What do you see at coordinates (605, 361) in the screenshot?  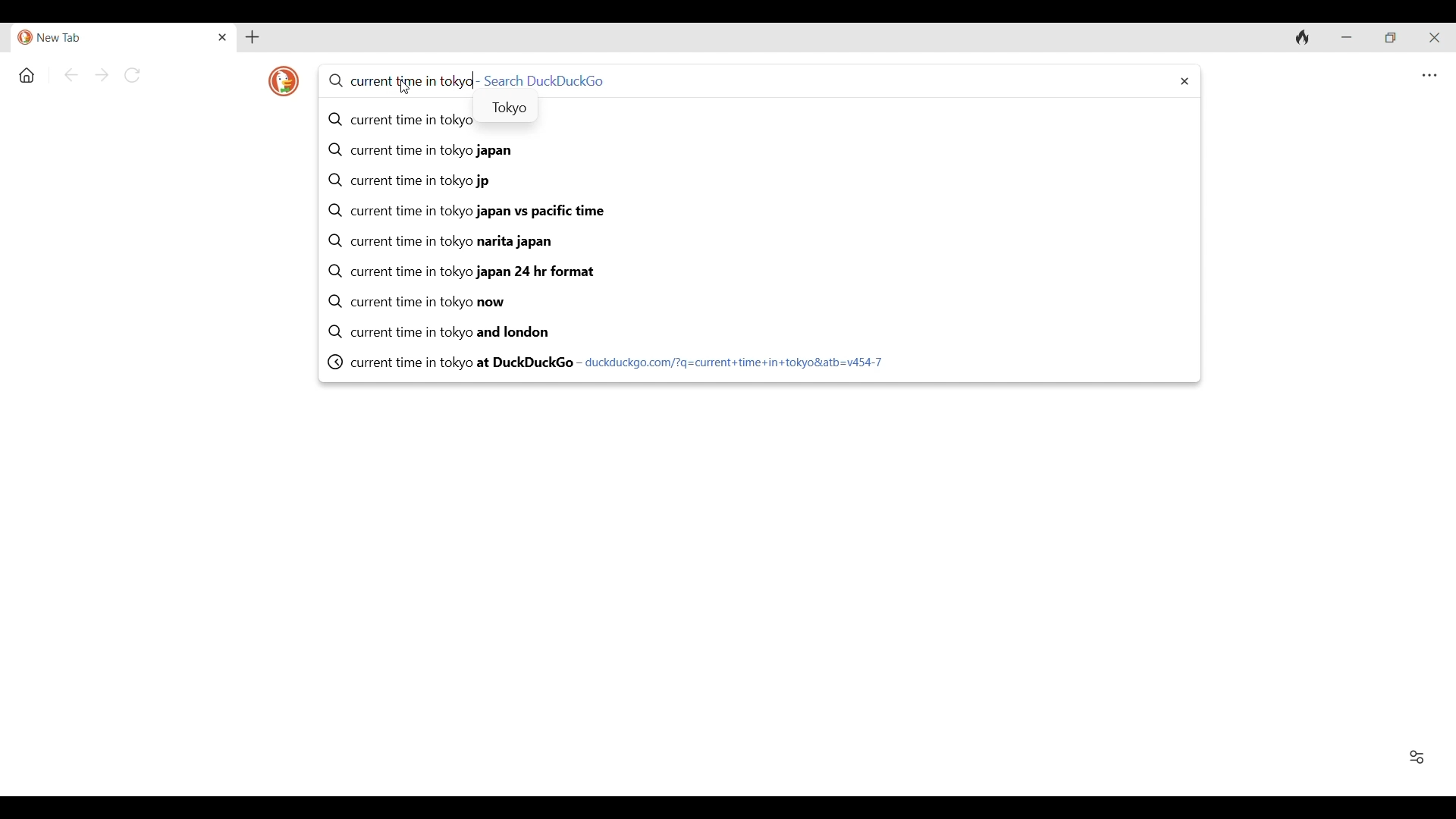 I see `current time in tokyo at DuckDuckGo - duckduckgo.com/?q=current+time+in+tokyo&atb=v454-7` at bounding box center [605, 361].